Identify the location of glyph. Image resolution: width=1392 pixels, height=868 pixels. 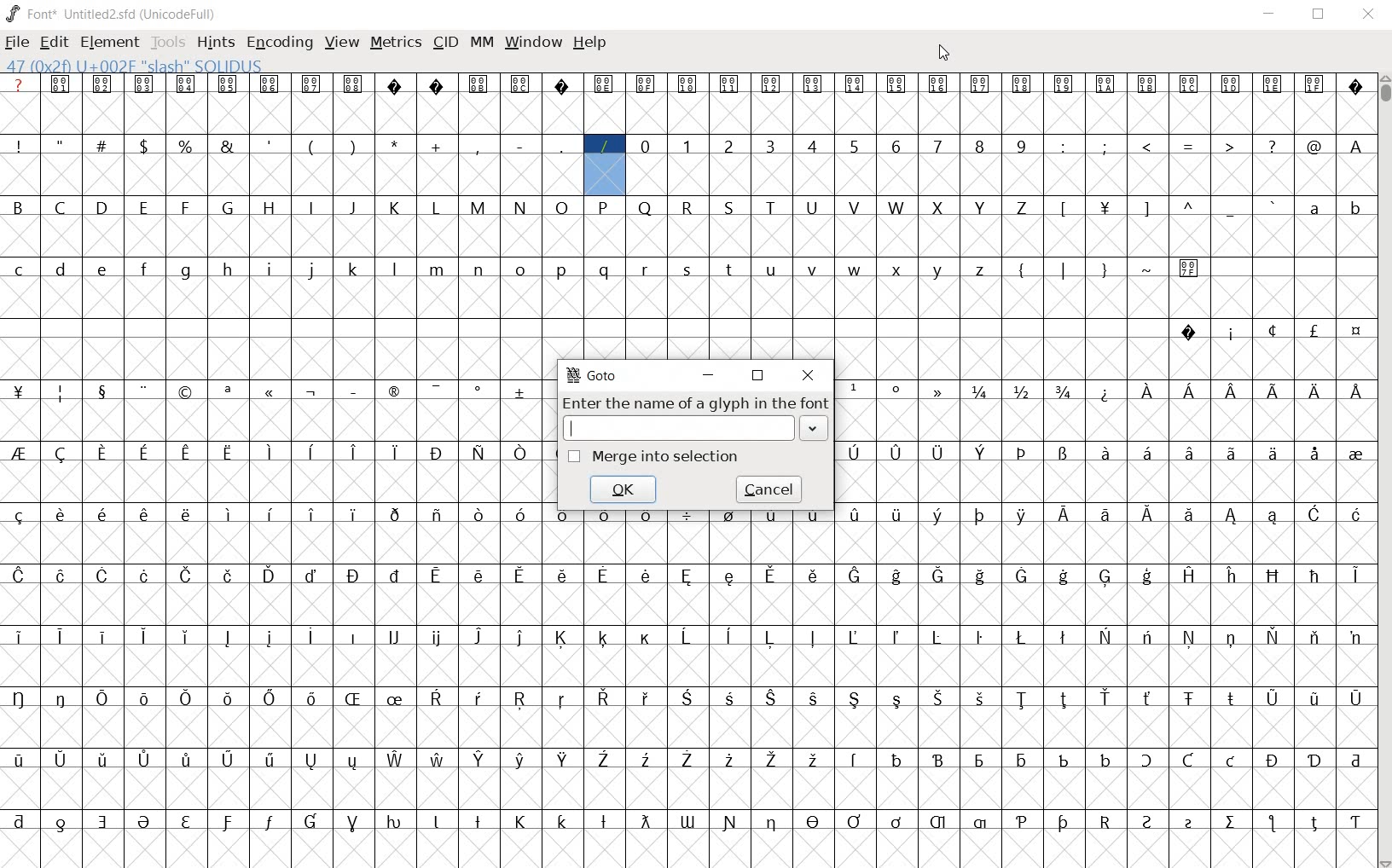
(312, 576).